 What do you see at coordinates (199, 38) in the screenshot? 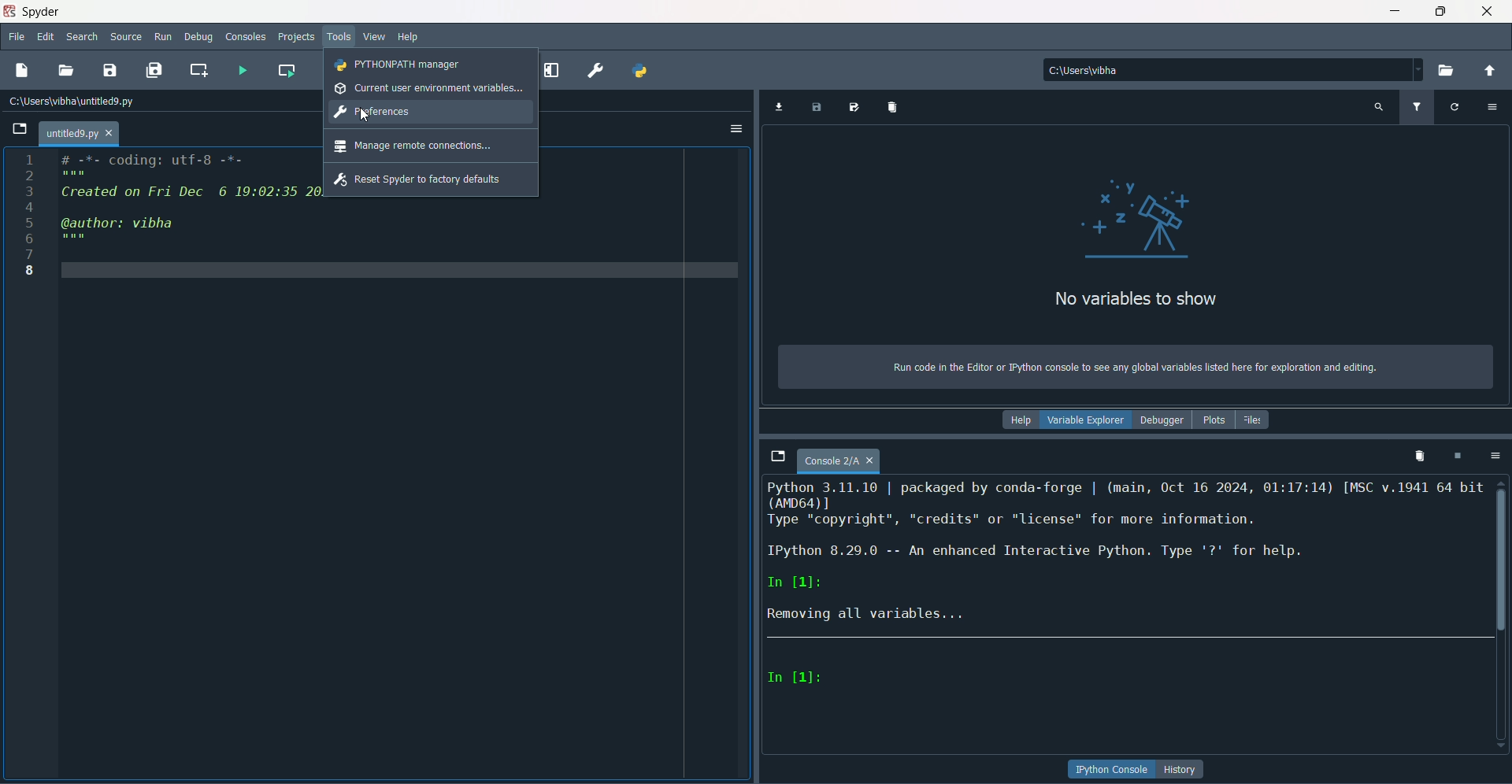
I see `debug` at bounding box center [199, 38].